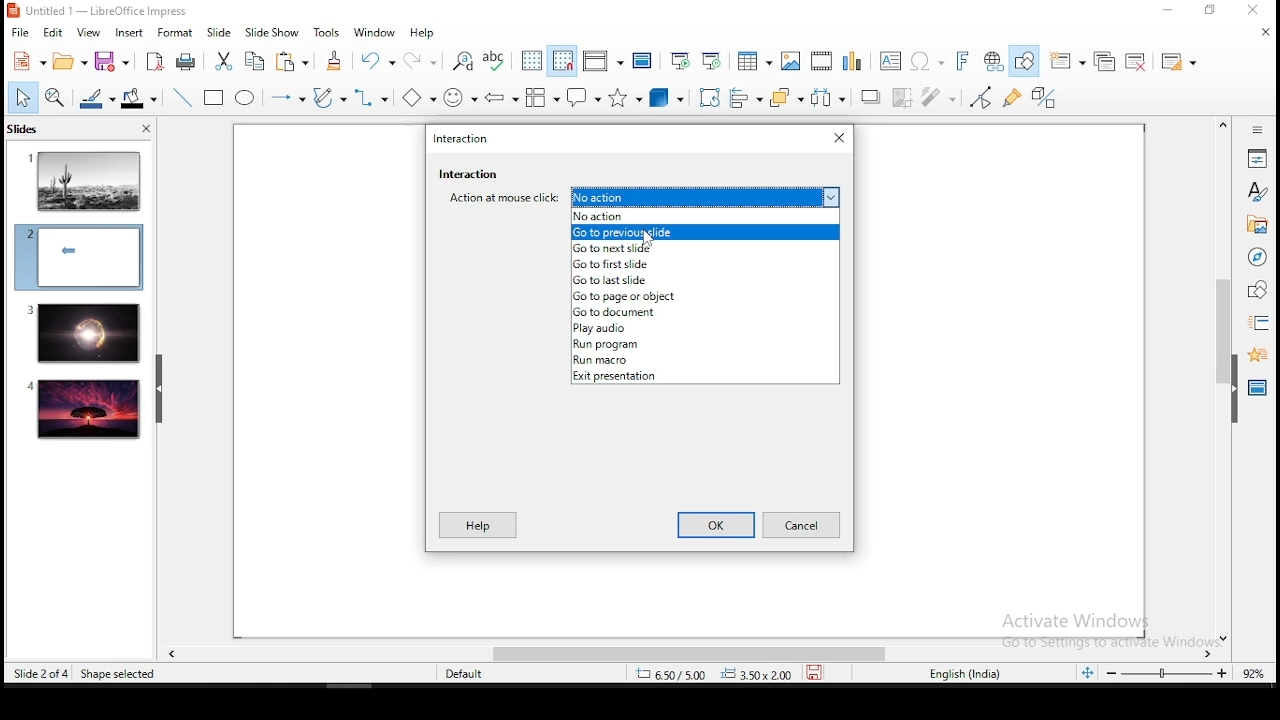 This screenshot has width=1280, height=720. Describe the element at coordinates (89, 32) in the screenshot. I see `view` at that location.